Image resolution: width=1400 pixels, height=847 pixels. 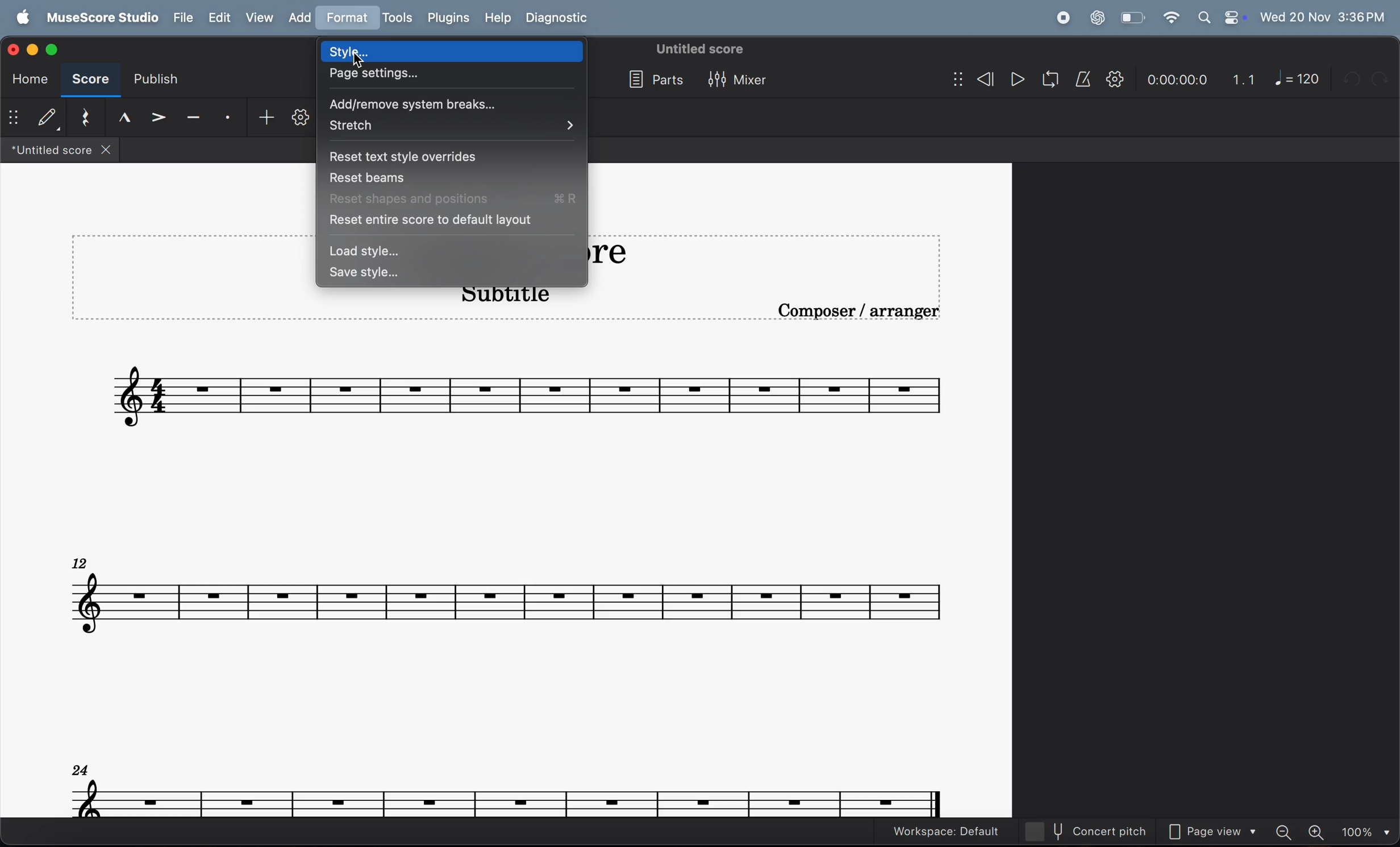 What do you see at coordinates (301, 121) in the screenshot?
I see `settings` at bounding box center [301, 121].